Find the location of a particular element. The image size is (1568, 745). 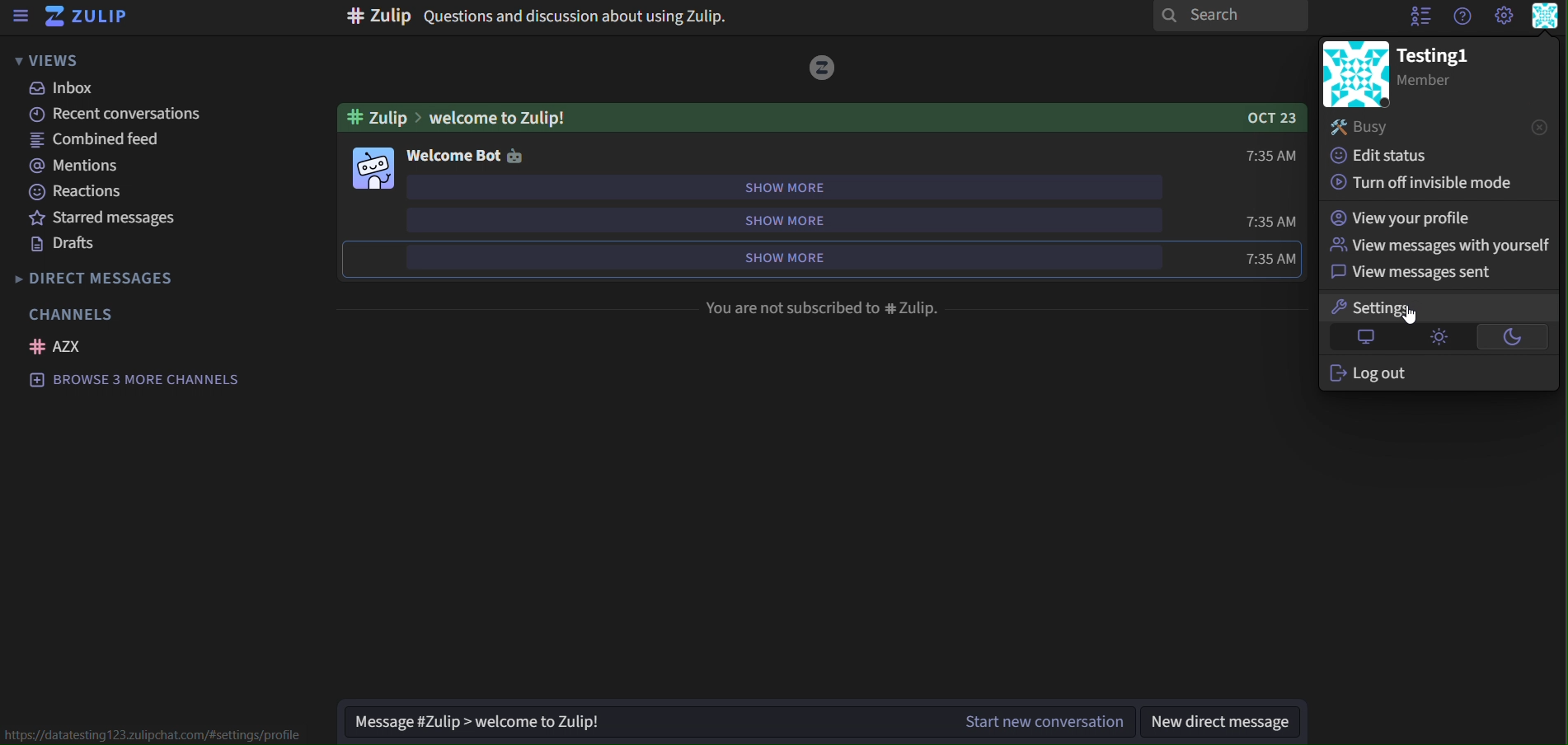

view messages with yourself is located at coordinates (1443, 245).